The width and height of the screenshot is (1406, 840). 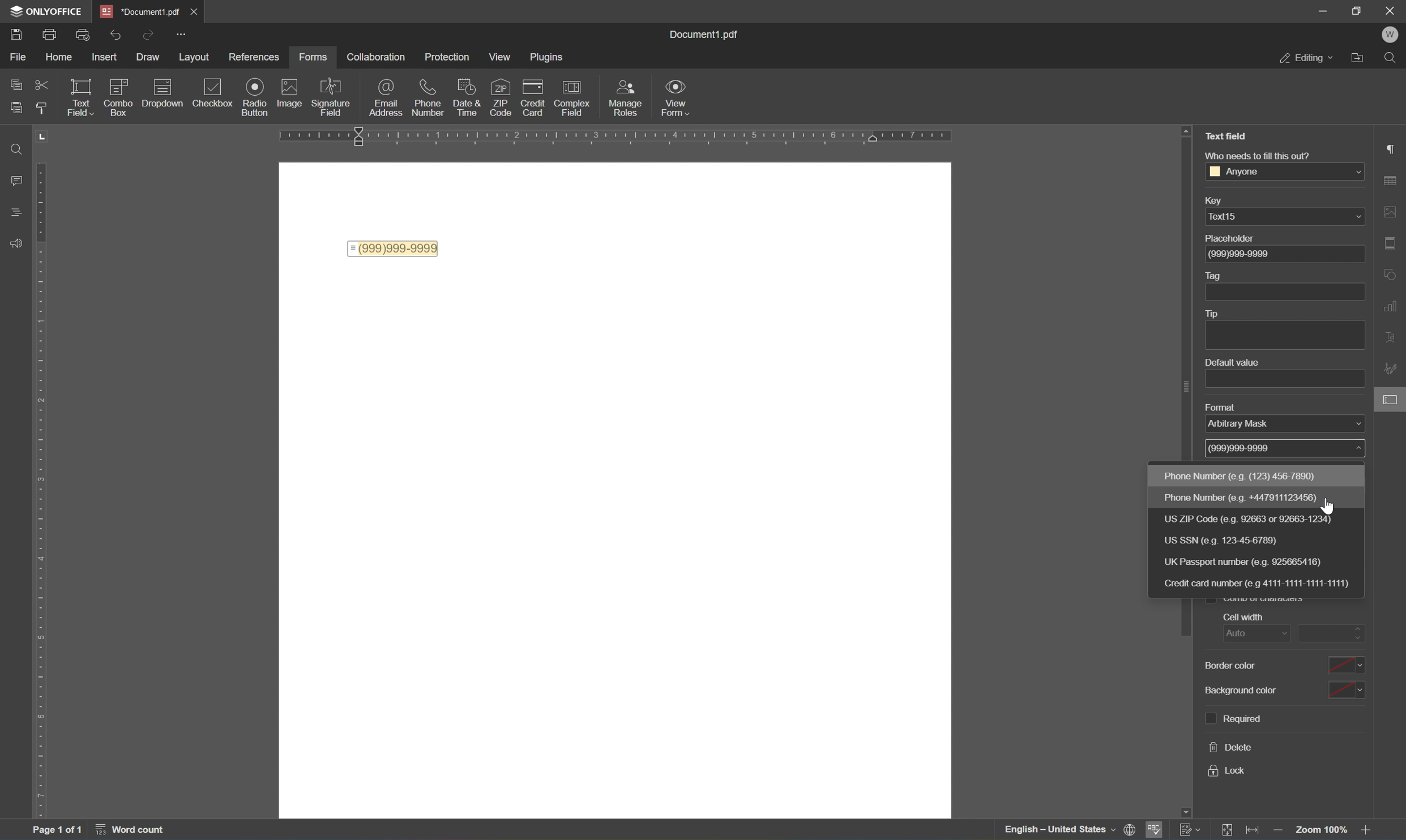 What do you see at coordinates (708, 34) in the screenshot?
I see `document1.pdf` at bounding box center [708, 34].